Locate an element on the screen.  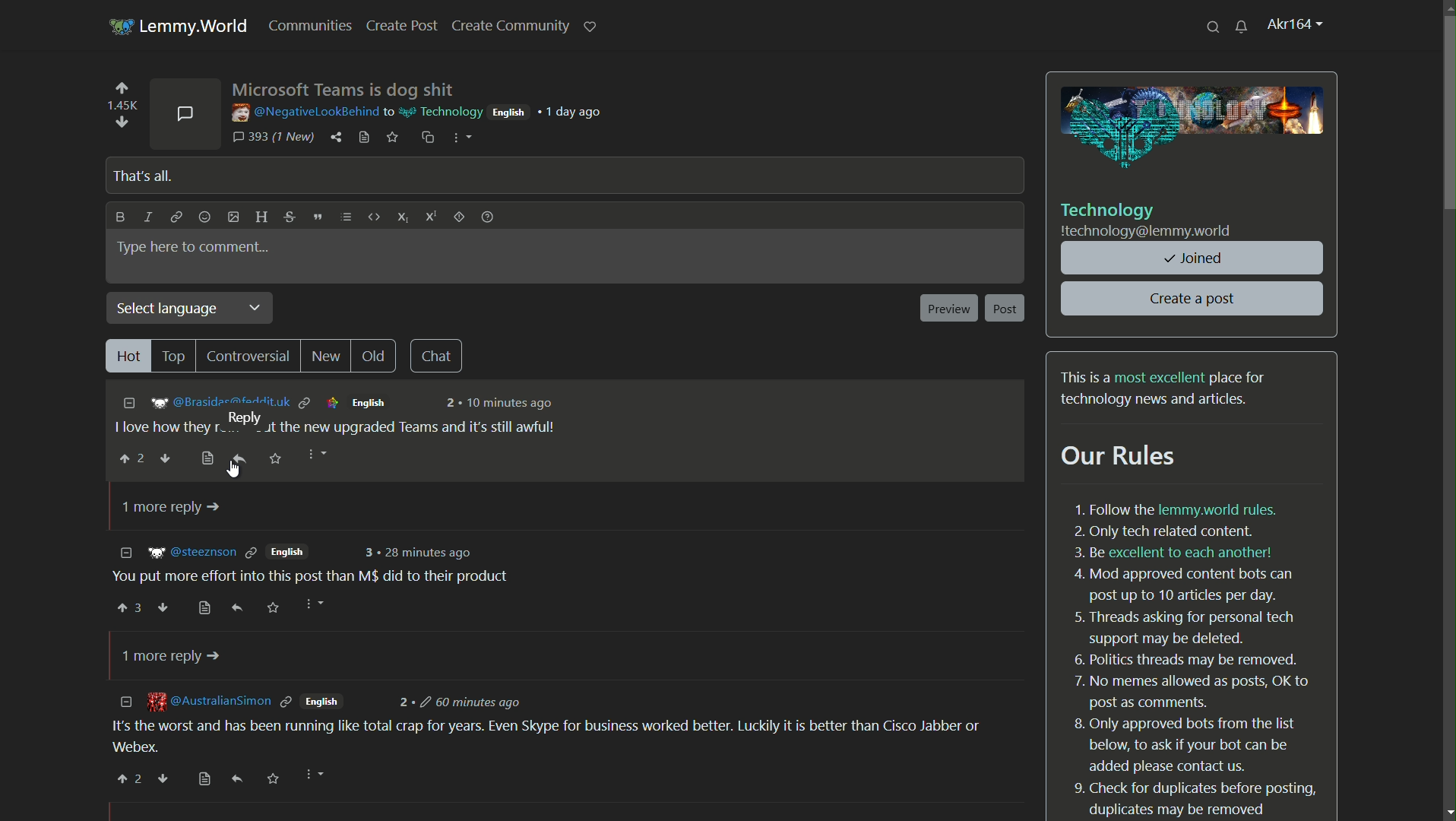
more options is located at coordinates (314, 455).